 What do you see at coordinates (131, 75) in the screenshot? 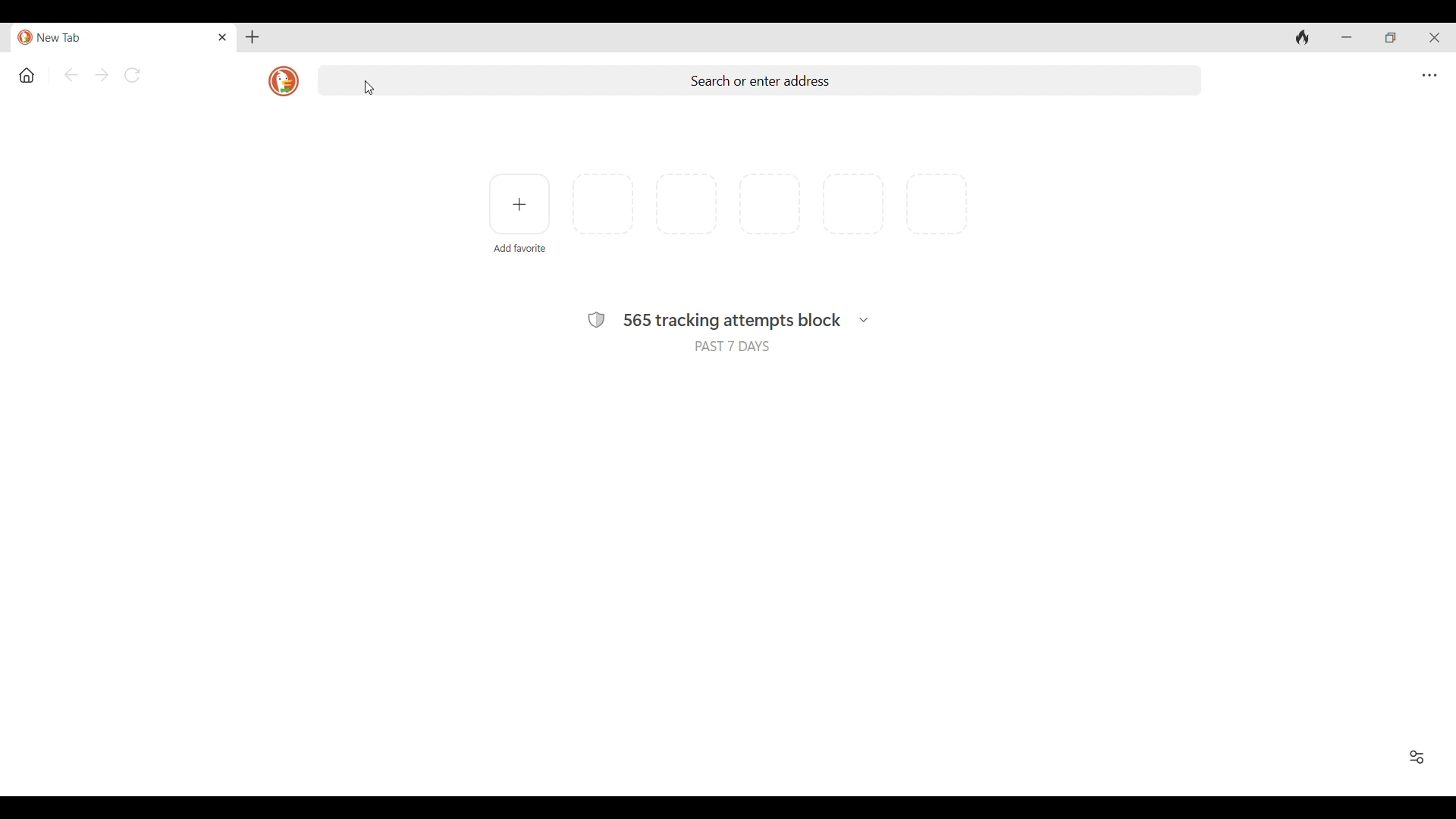
I see `Reload page` at bounding box center [131, 75].